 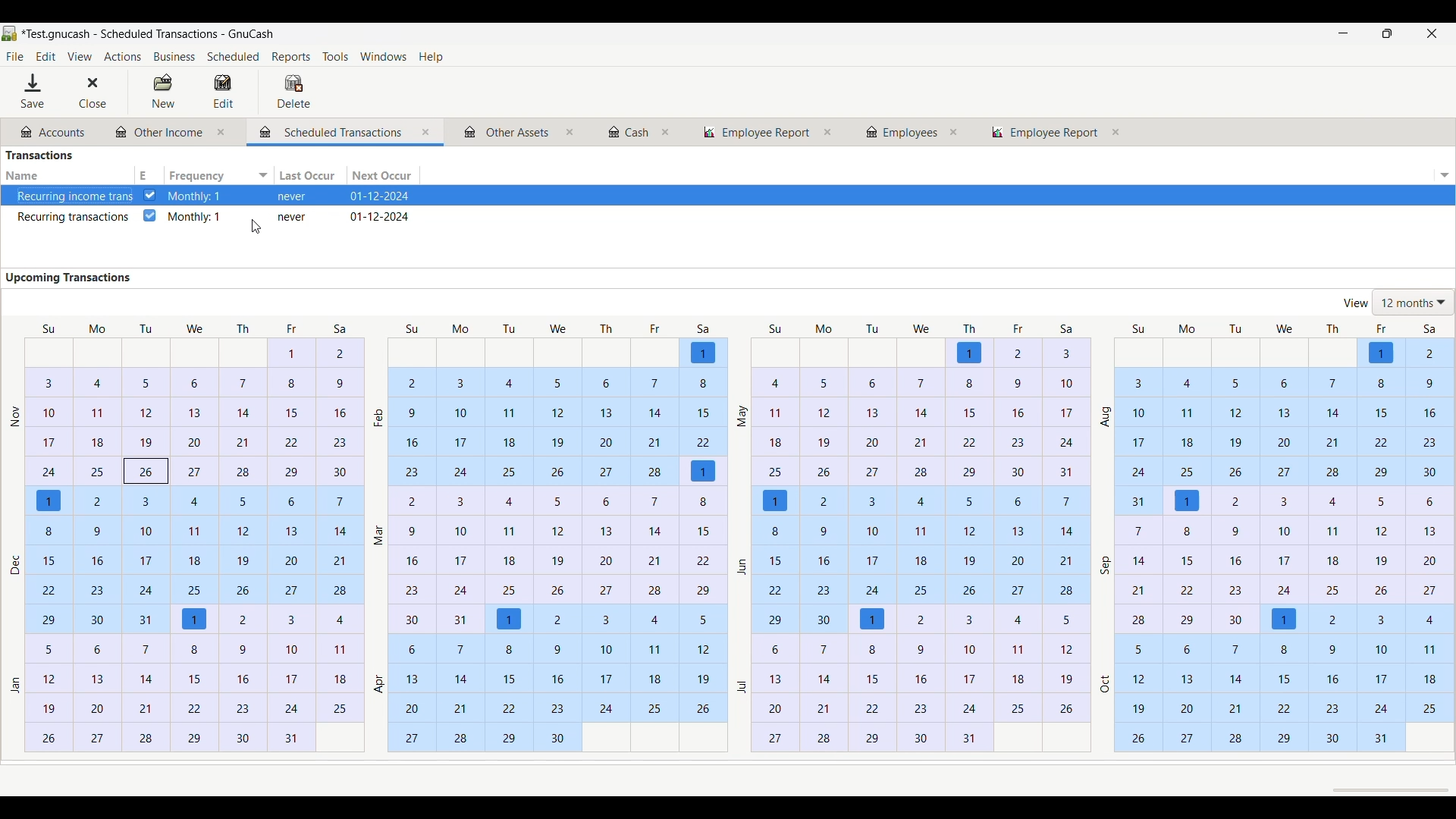 What do you see at coordinates (381, 218) in the screenshot?
I see `01-12-2024` at bounding box center [381, 218].